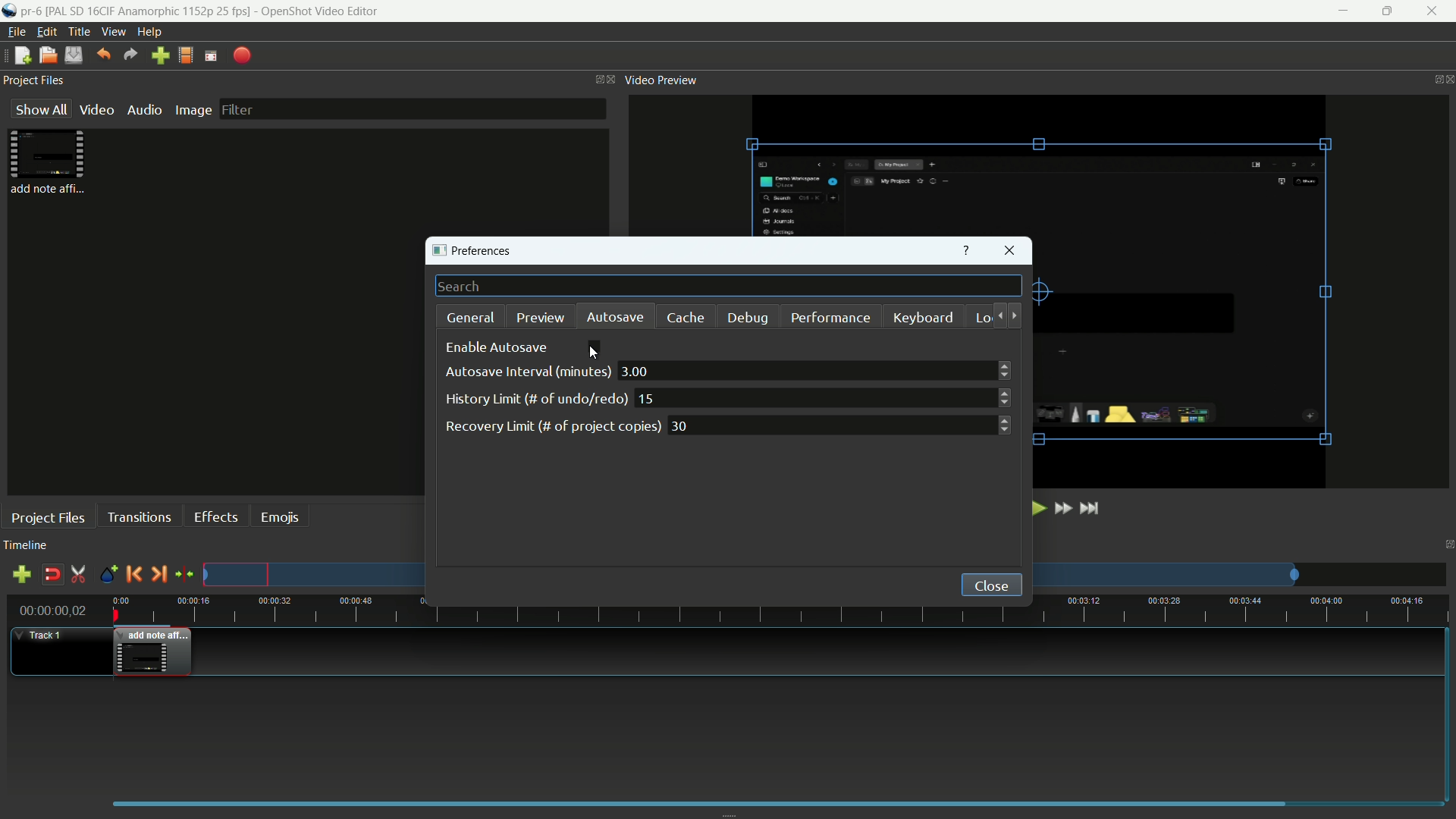 The width and height of the screenshot is (1456, 819). I want to click on save file, so click(74, 55).